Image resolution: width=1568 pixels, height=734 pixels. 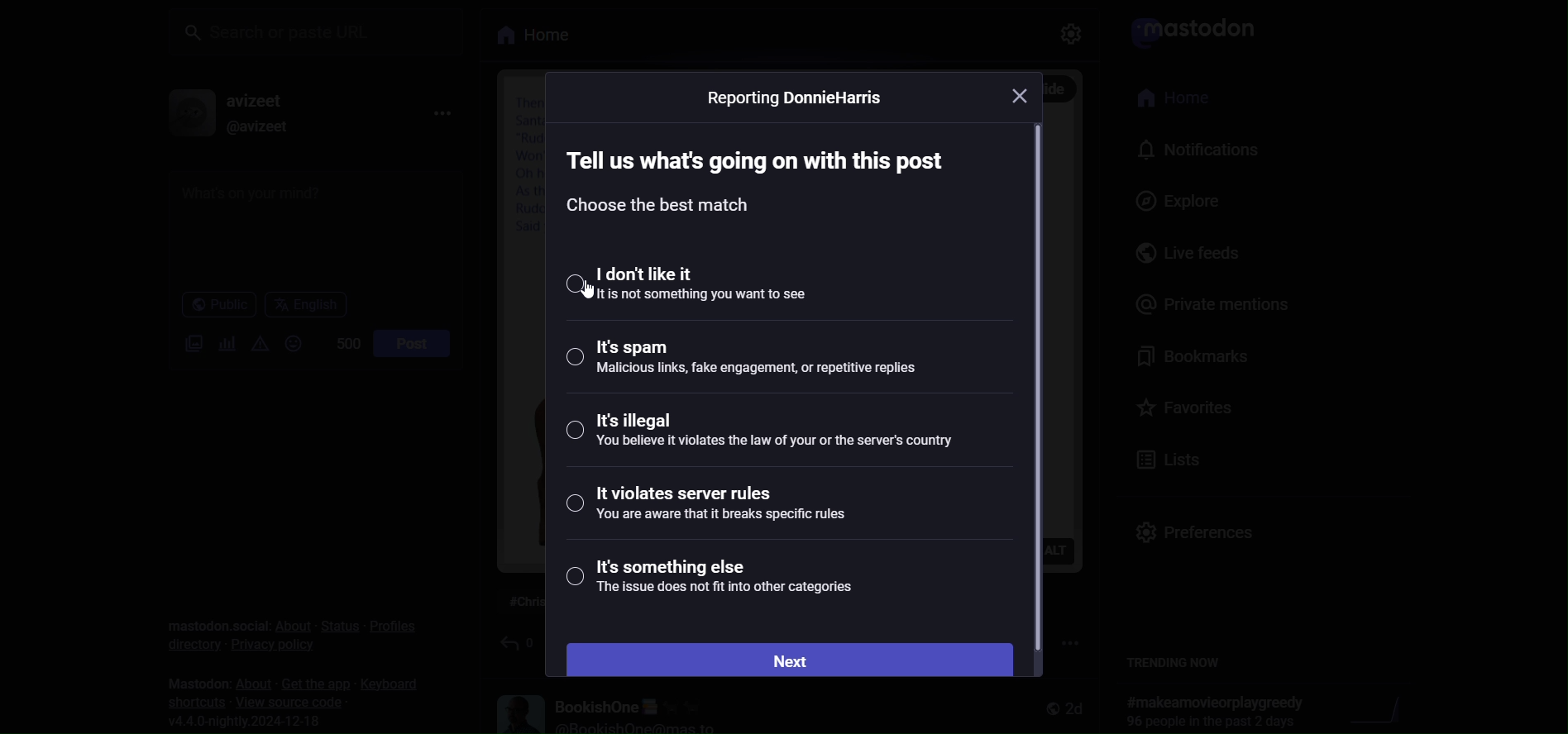 What do you see at coordinates (723, 581) in the screenshot?
I see `It's something else
The issue does not fit into other categories` at bounding box center [723, 581].